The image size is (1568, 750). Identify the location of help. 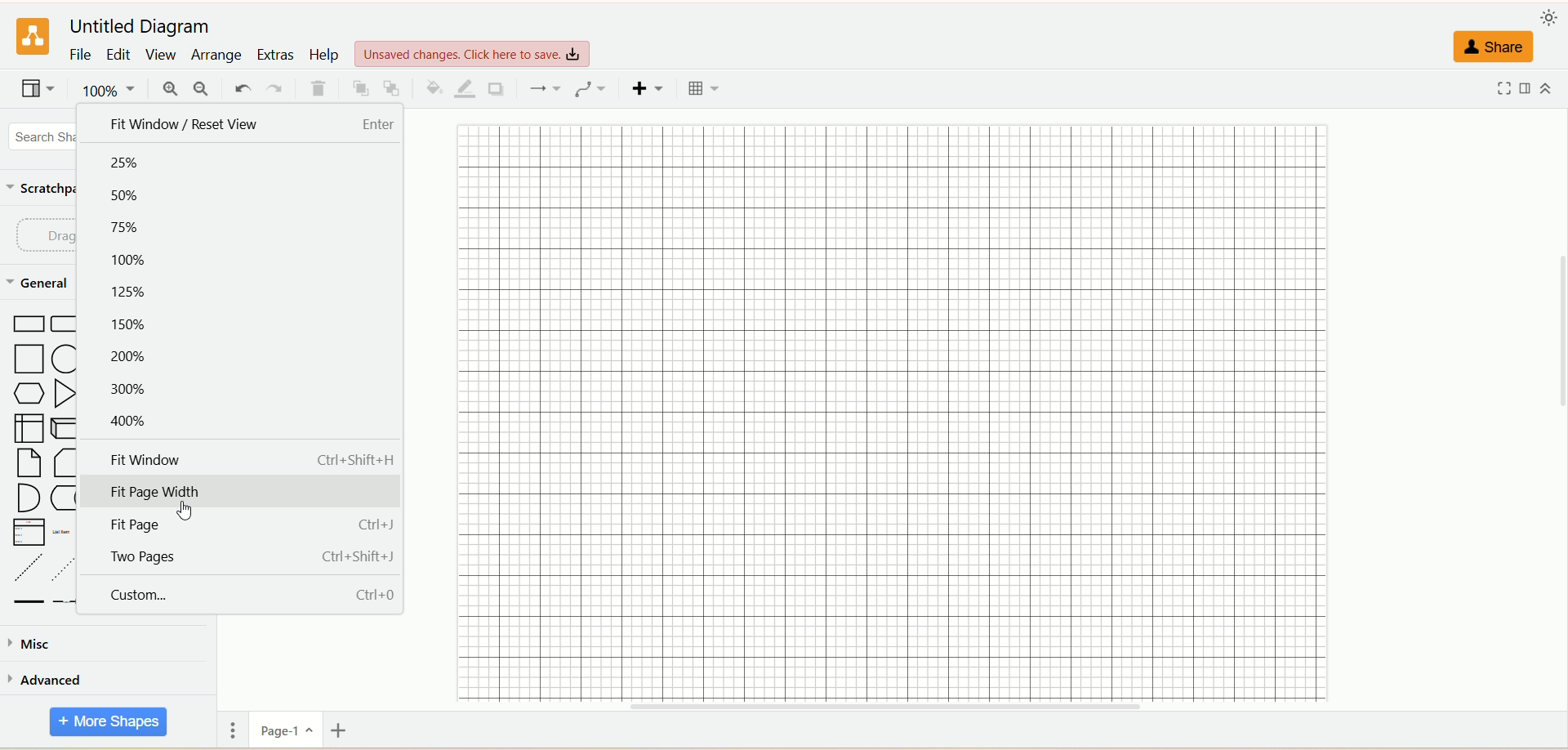
(324, 56).